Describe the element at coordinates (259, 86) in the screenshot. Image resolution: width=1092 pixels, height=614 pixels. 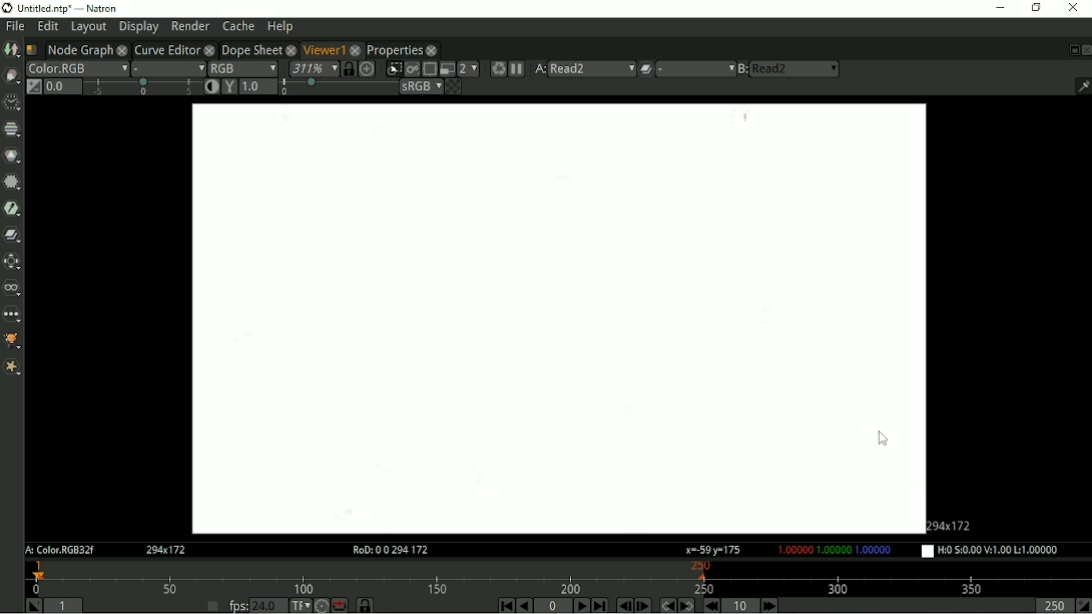
I see `Viewer gamma correction` at that location.